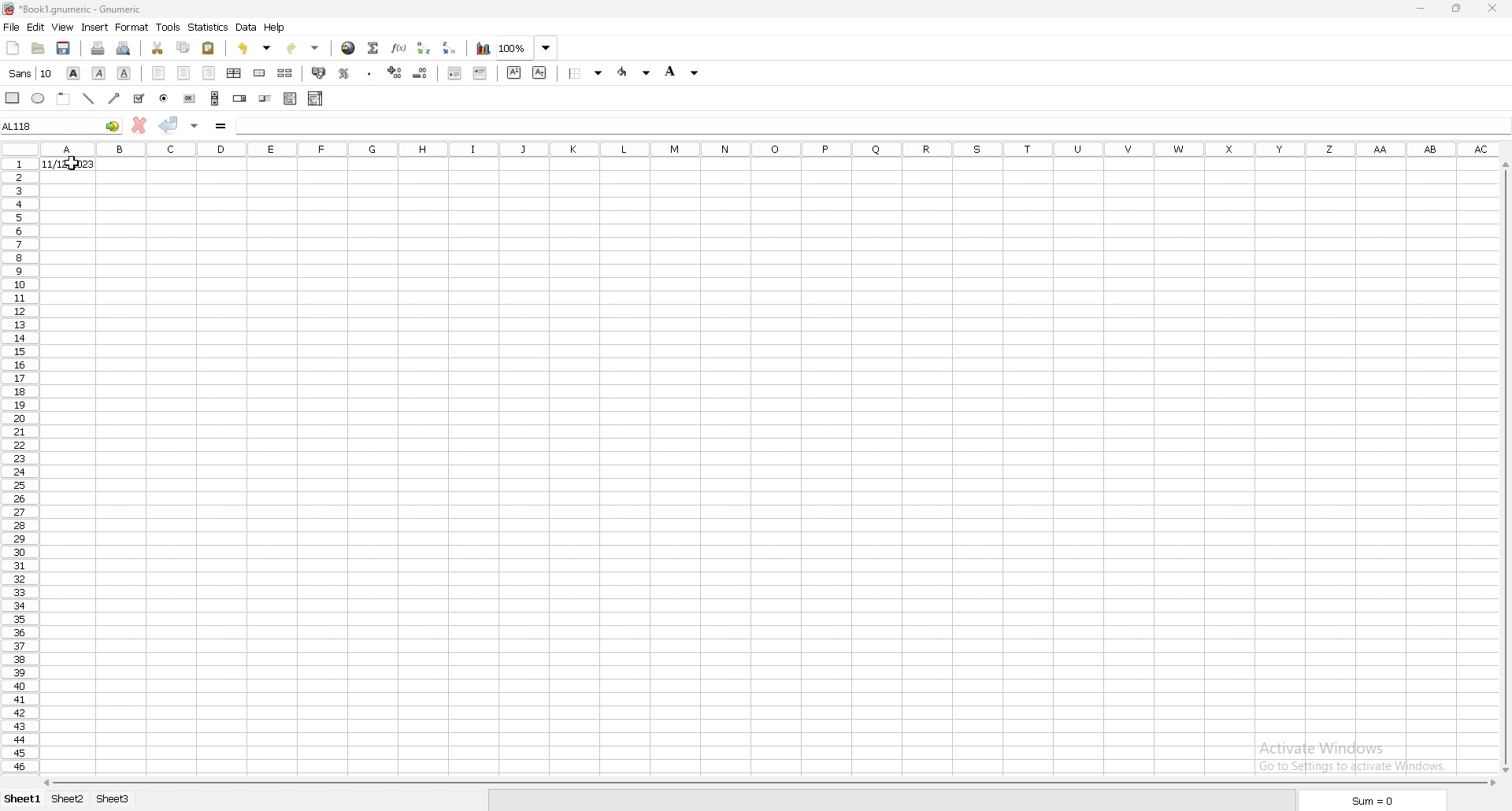 Image resolution: width=1512 pixels, height=811 pixels. What do you see at coordinates (33, 72) in the screenshot?
I see `font` at bounding box center [33, 72].